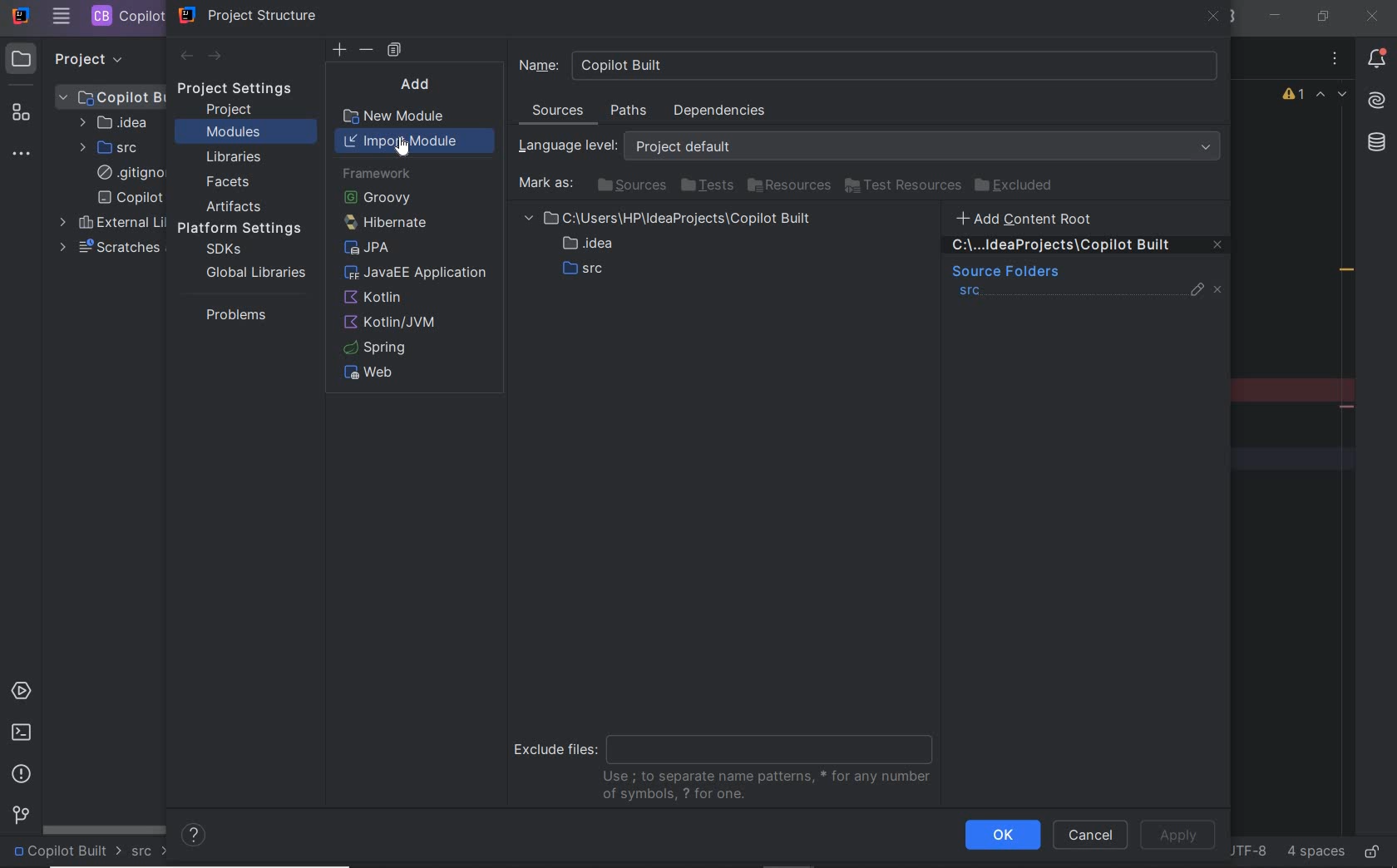 The width and height of the screenshot is (1397, 868). What do you see at coordinates (1295, 96) in the screenshot?
I see `1 warning` at bounding box center [1295, 96].